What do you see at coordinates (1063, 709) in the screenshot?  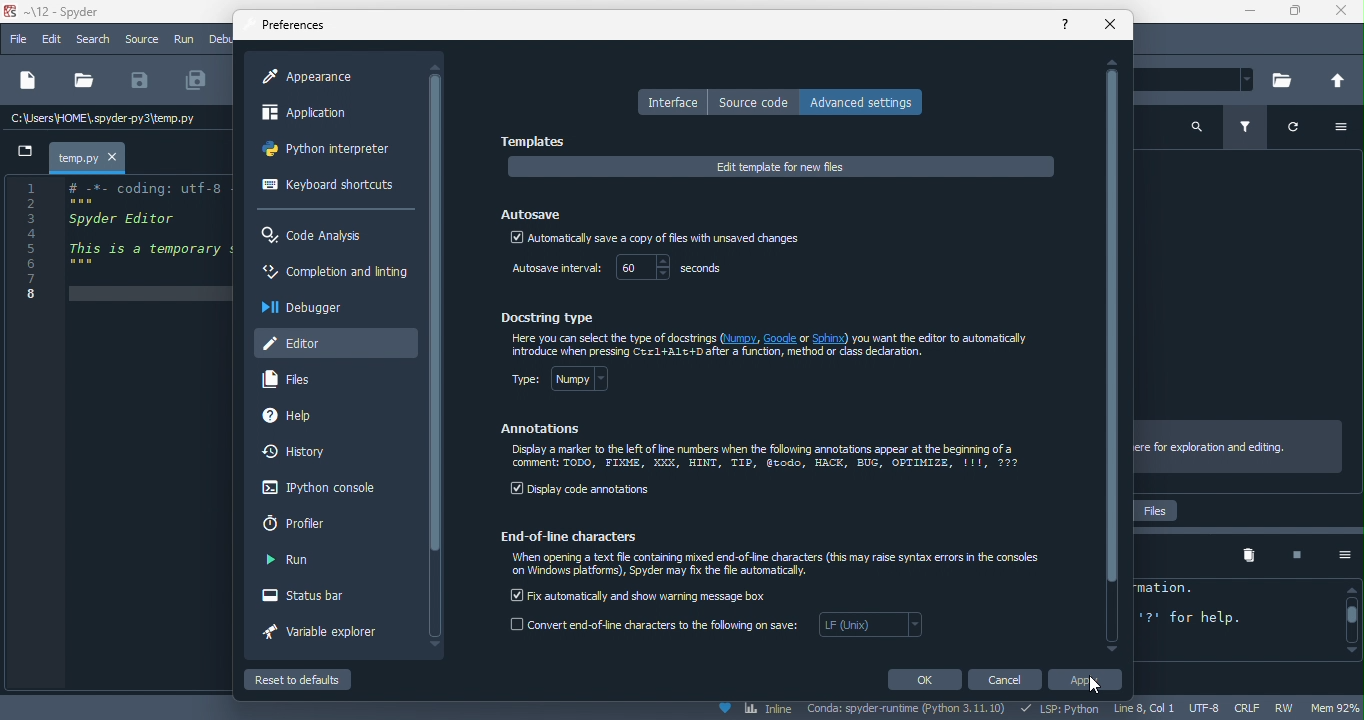 I see `lsp python` at bounding box center [1063, 709].